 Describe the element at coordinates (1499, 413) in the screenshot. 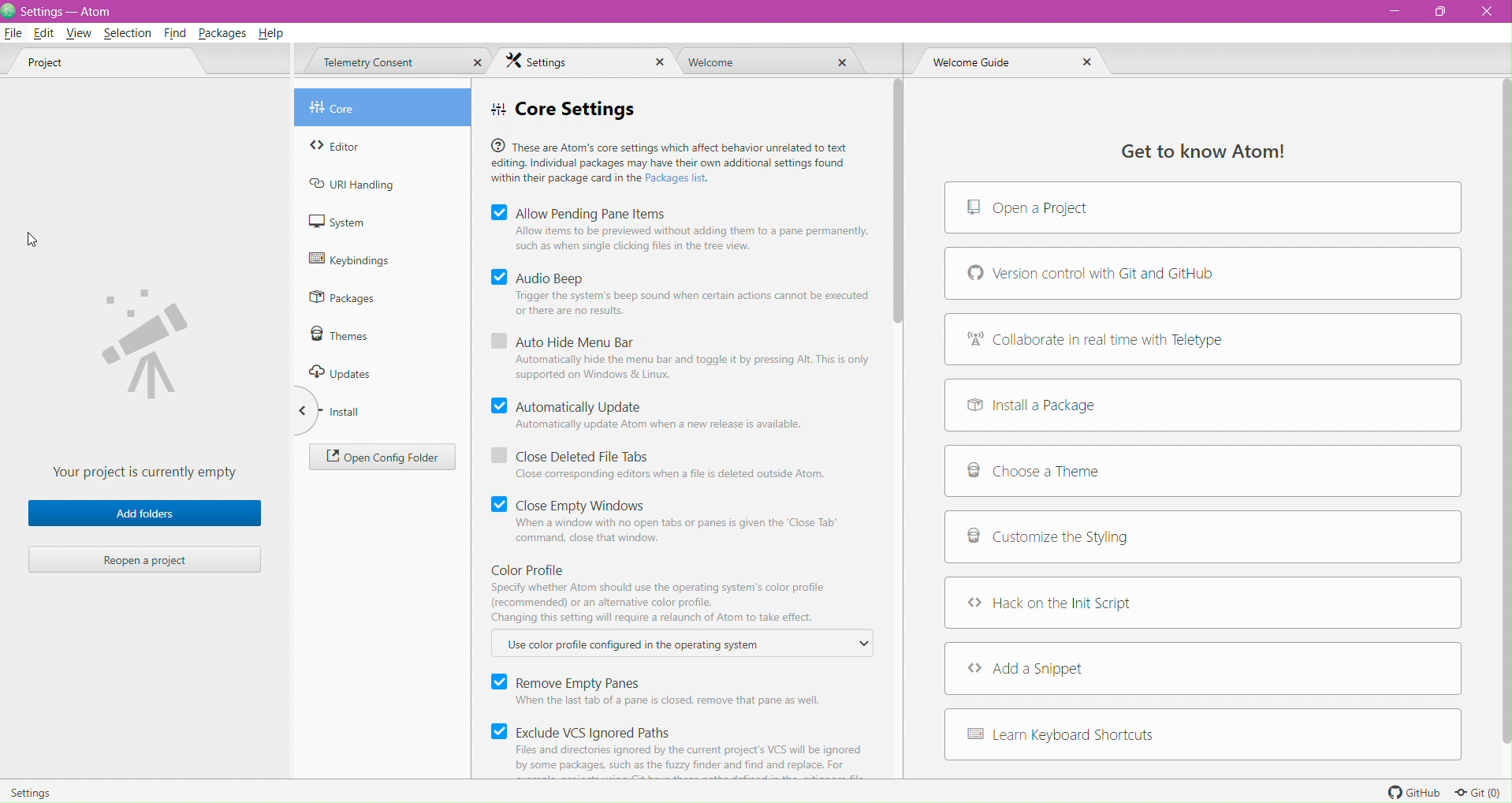

I see `Vertical Scroll bar` at that location.